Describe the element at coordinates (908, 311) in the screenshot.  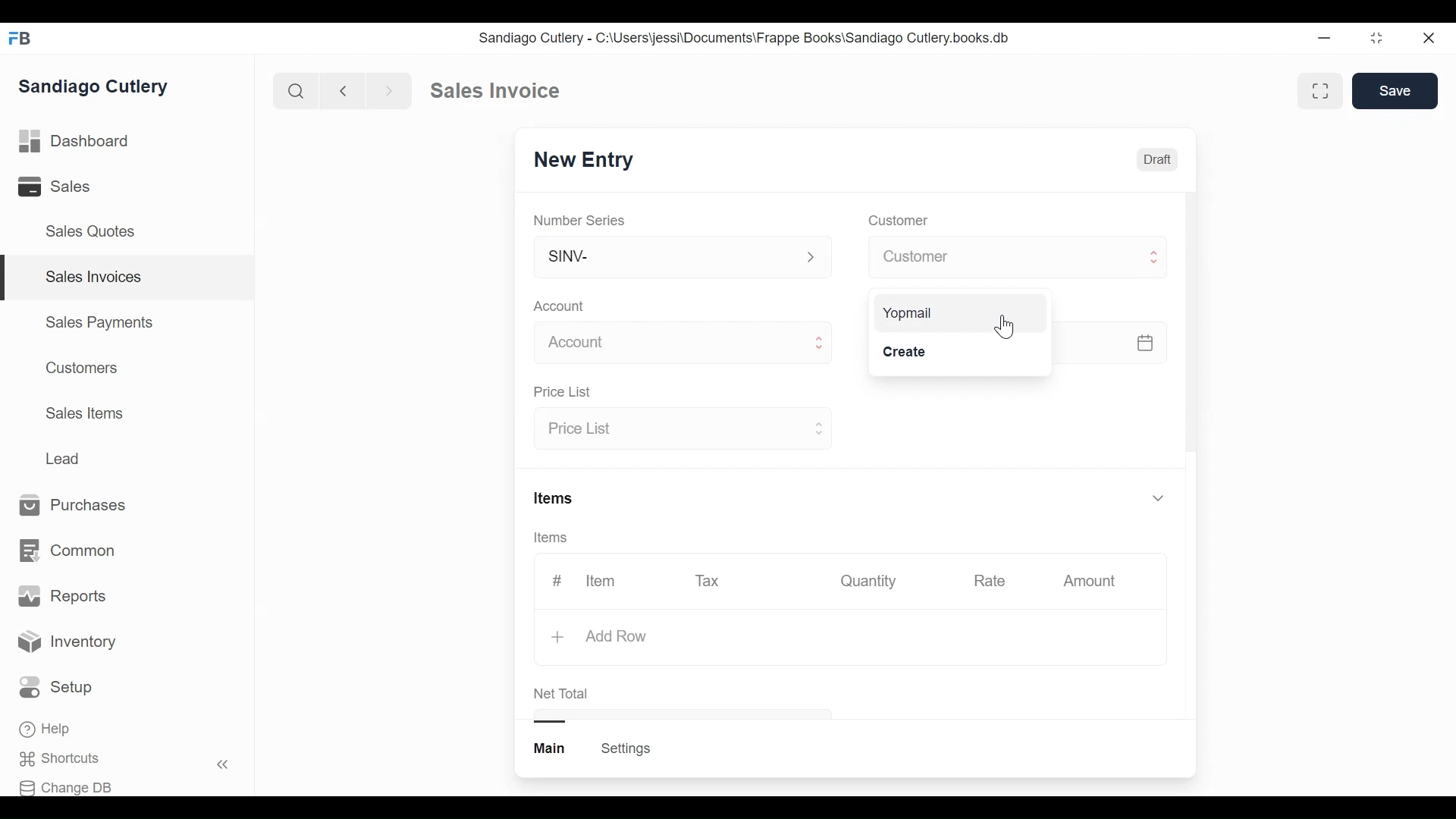
I see `Yopmail` at that location.